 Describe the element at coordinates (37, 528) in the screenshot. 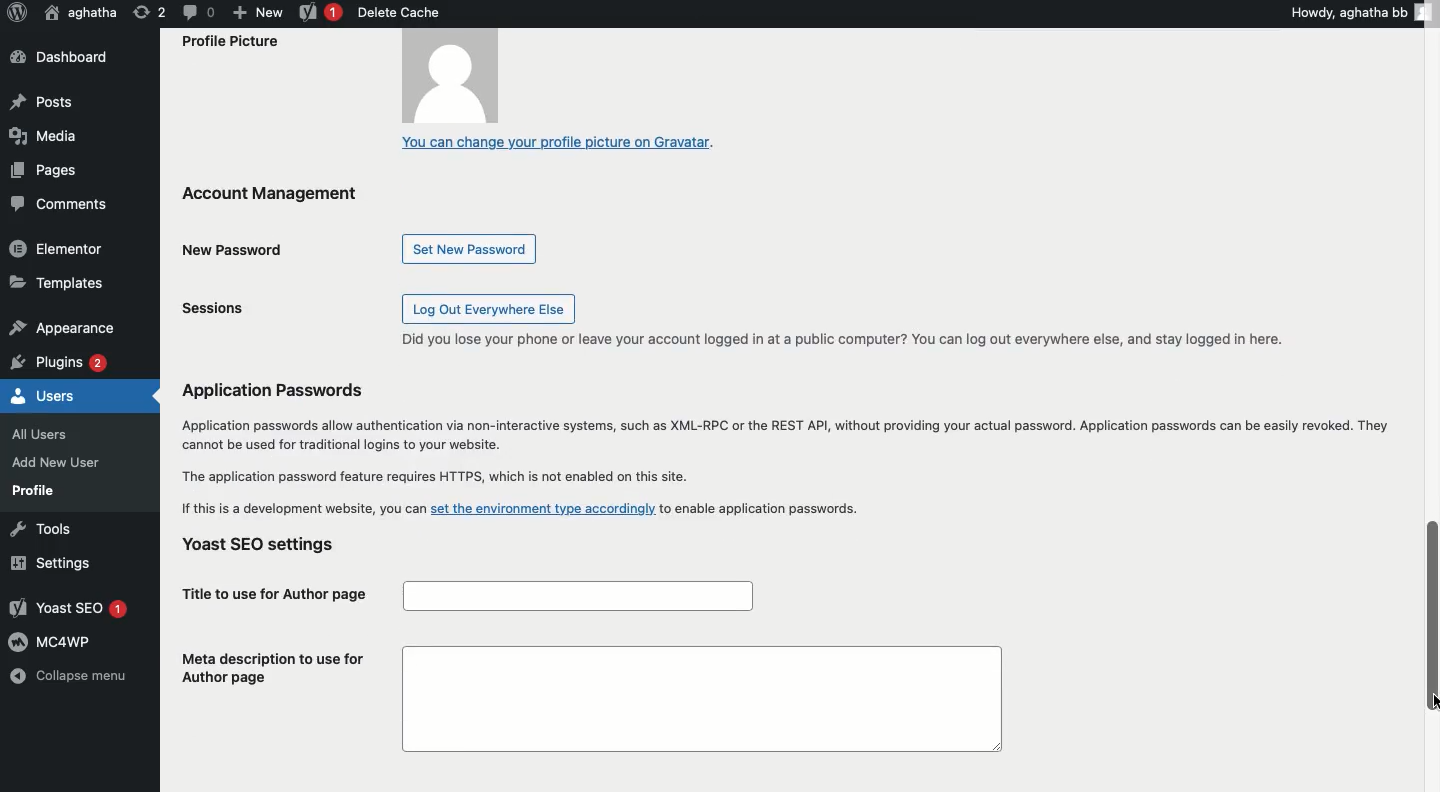

I see `Tools` at that location.